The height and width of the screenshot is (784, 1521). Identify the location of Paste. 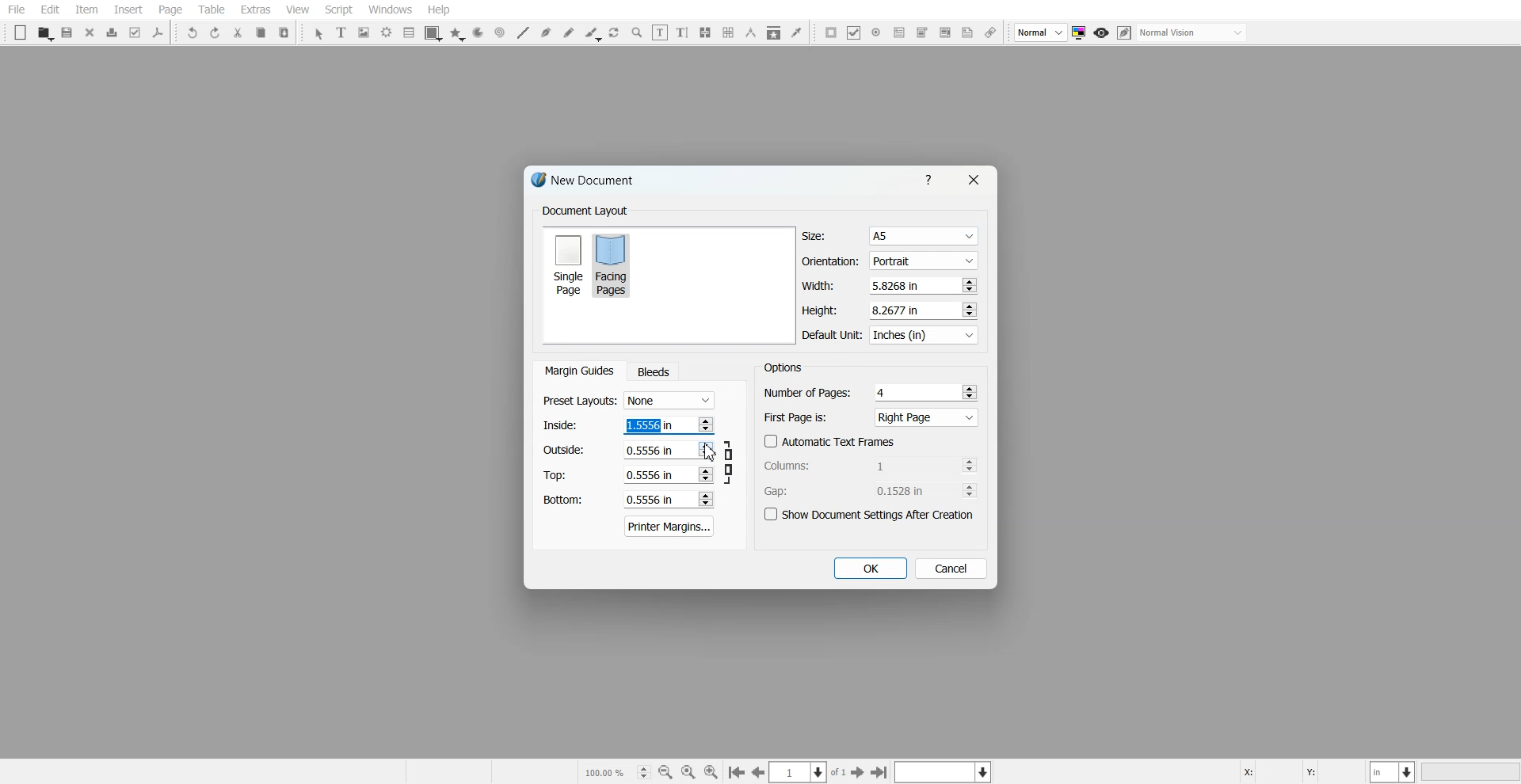
(284, 32).